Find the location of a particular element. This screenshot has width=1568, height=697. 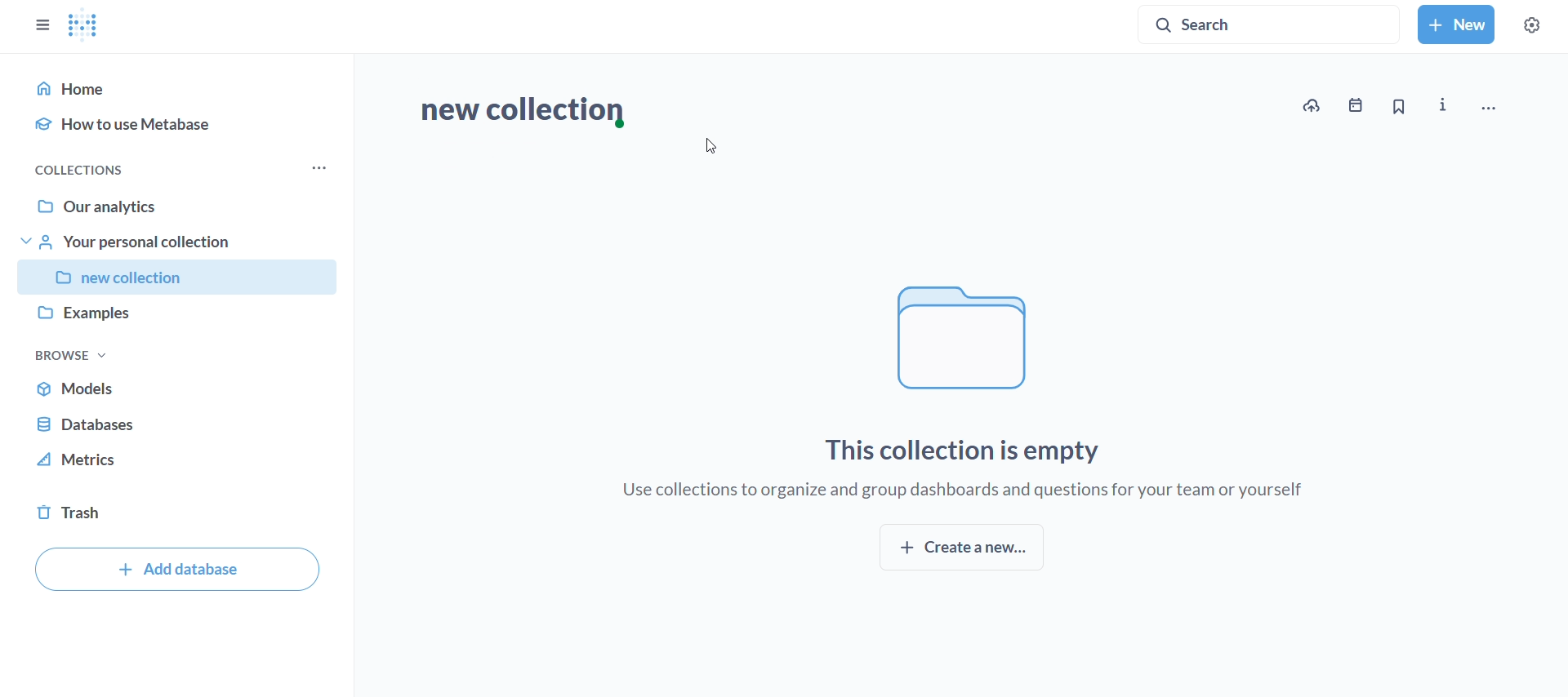

events is located at coordinates (1359, 105).